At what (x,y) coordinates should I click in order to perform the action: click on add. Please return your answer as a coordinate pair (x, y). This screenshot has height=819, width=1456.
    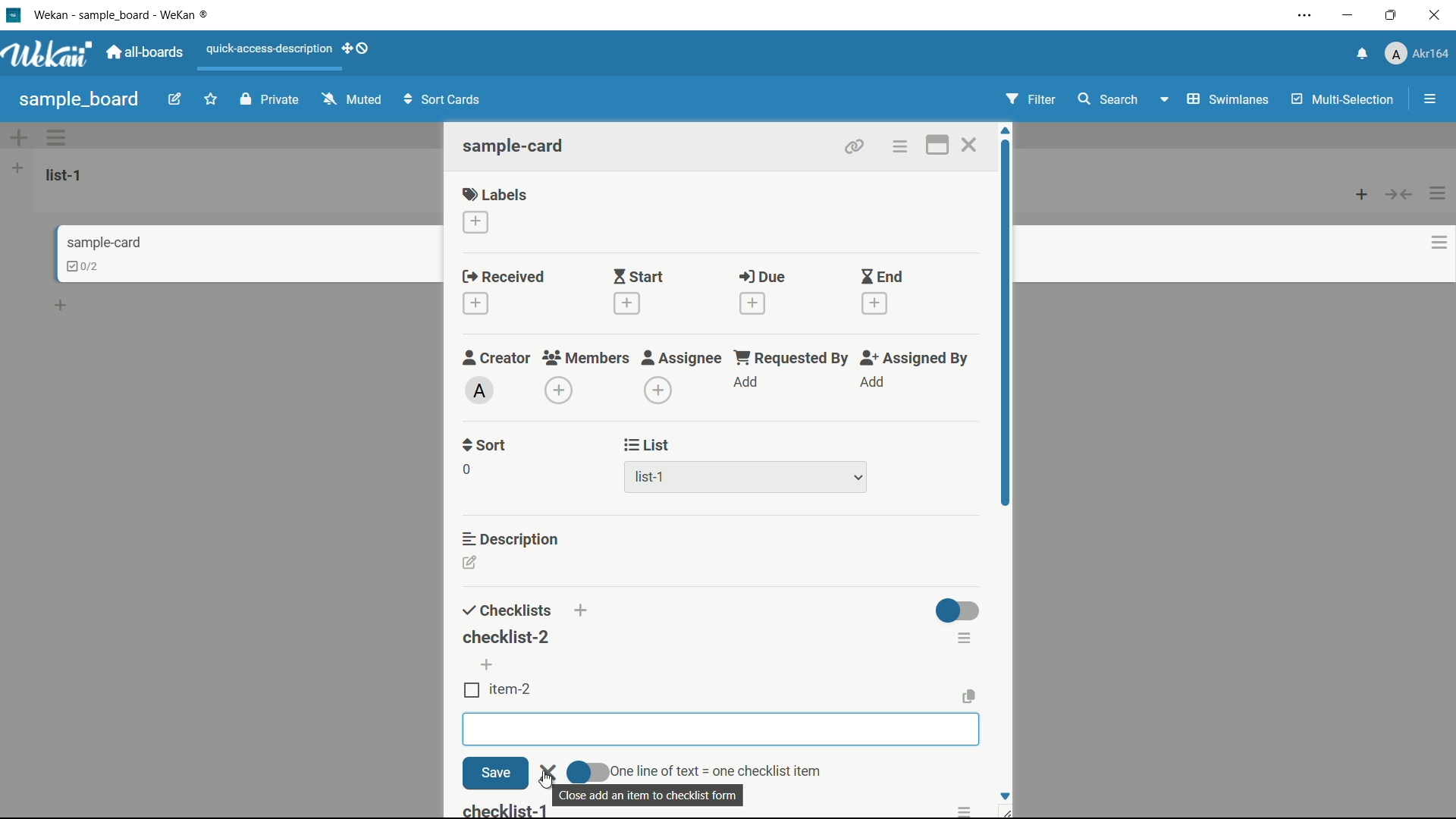
    Looking at the image, I should click on (489, 664).